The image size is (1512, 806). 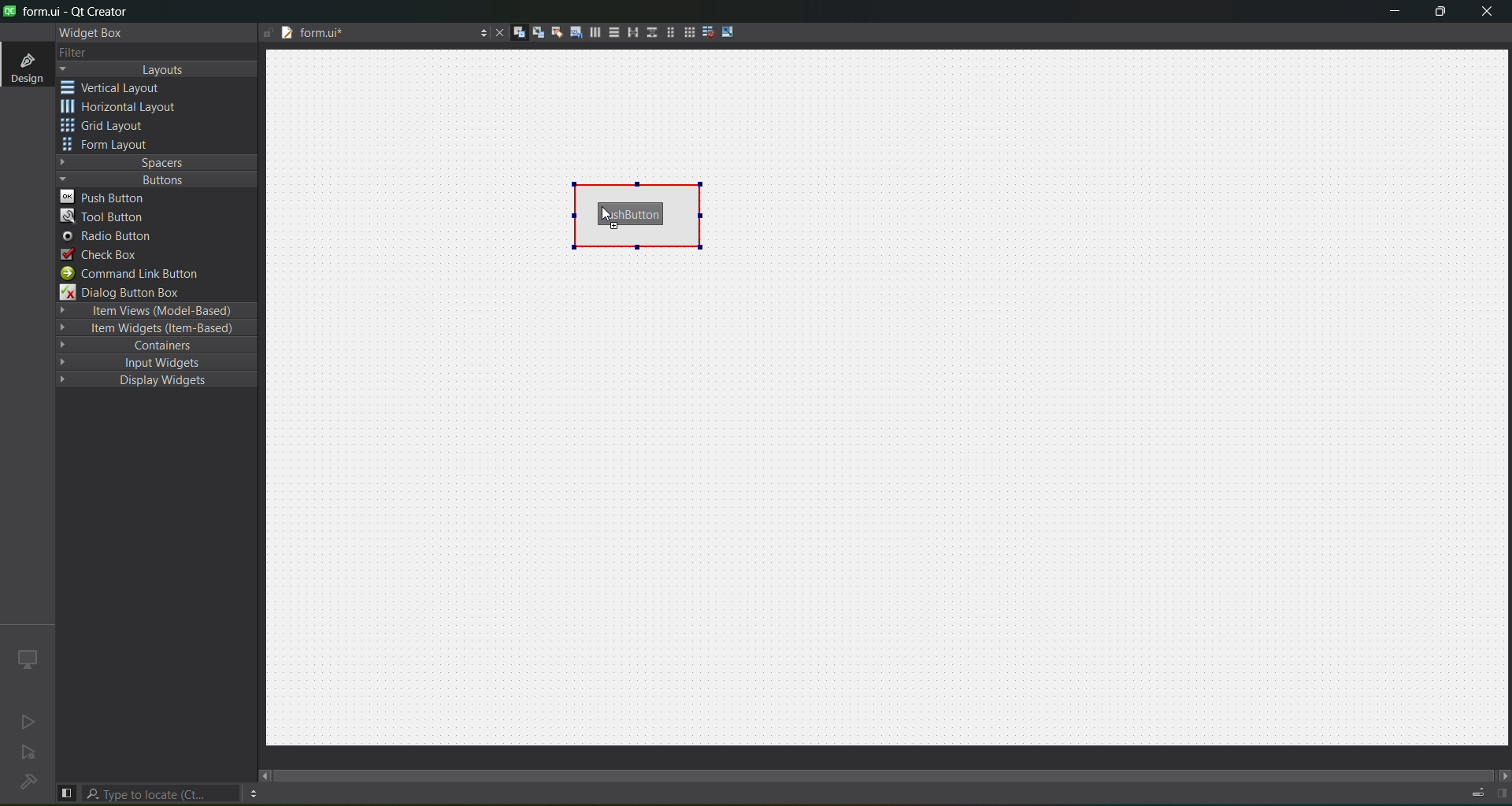 I want to click on edit buddies, so click(x=554, y=31).